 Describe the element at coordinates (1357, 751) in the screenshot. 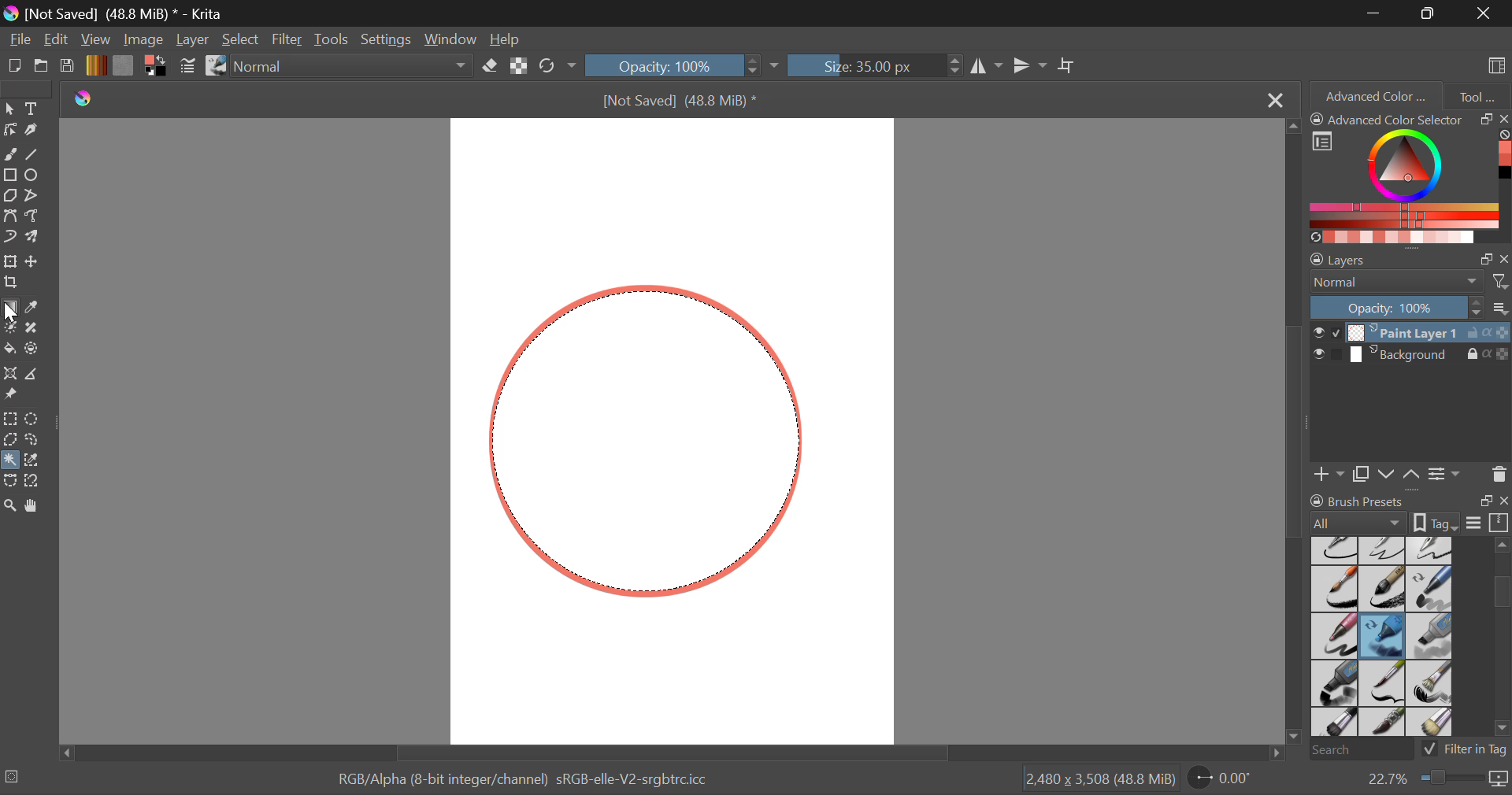

I see `Search` at that location.